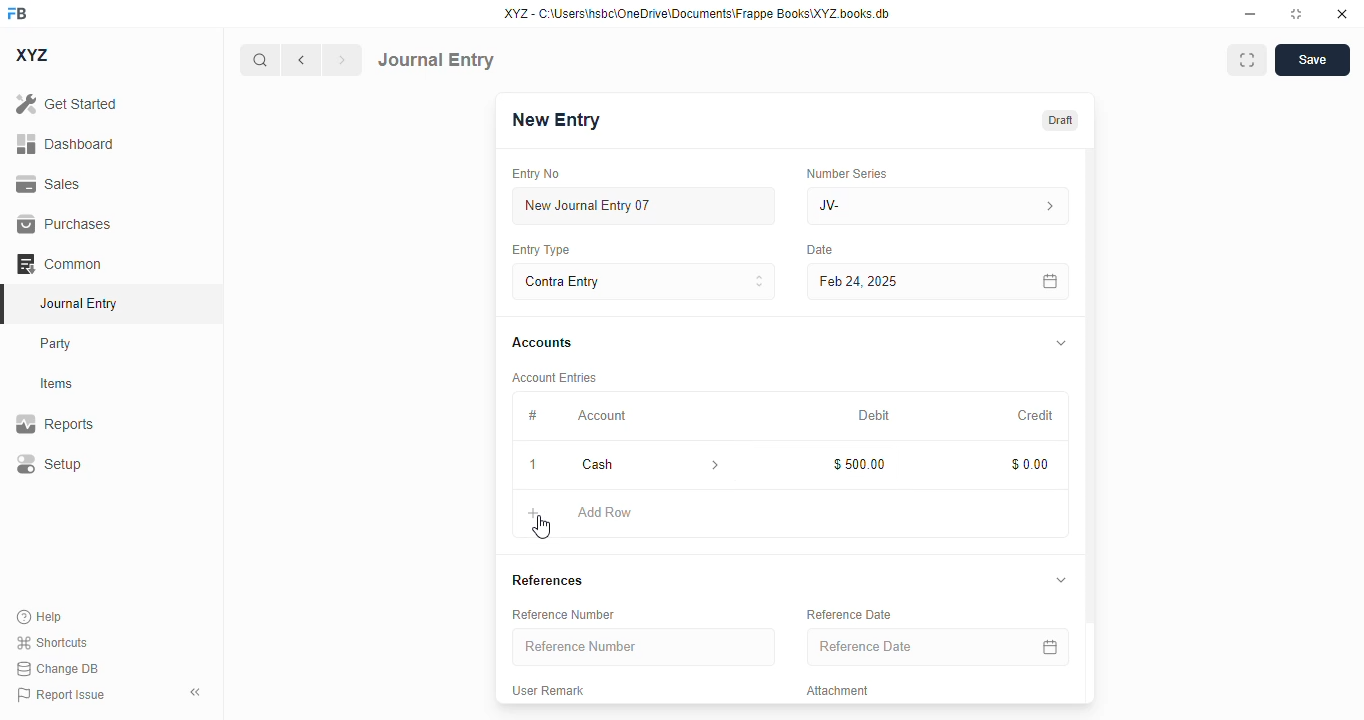 This screenshot has height=720, width=1364. I want to click on #, so click(531, 415).